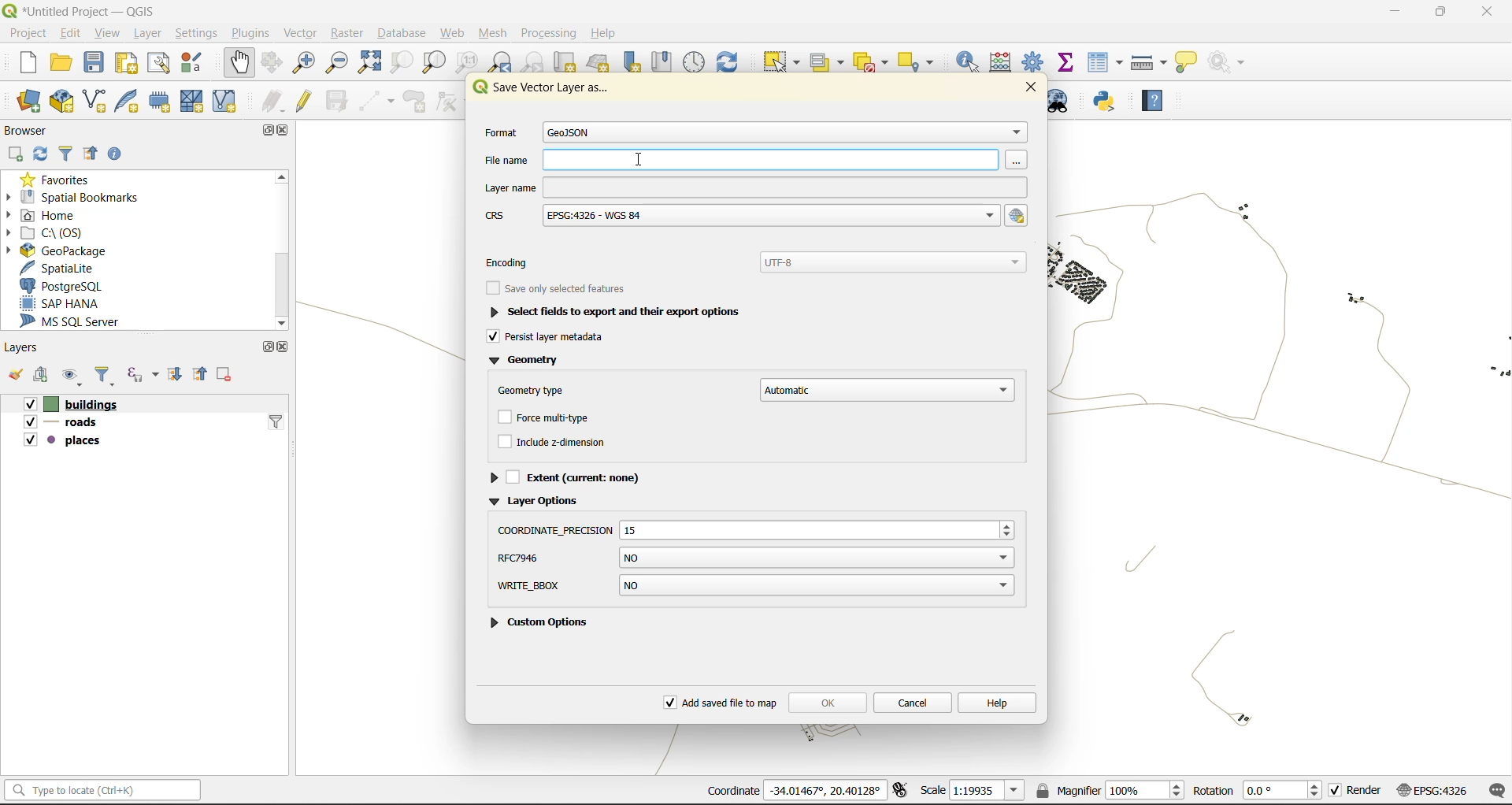 This screenshot has width=1512, height=805. Describe the element at coordinates (398, 62) in the screenshot. I see `zoom selection` at that location.